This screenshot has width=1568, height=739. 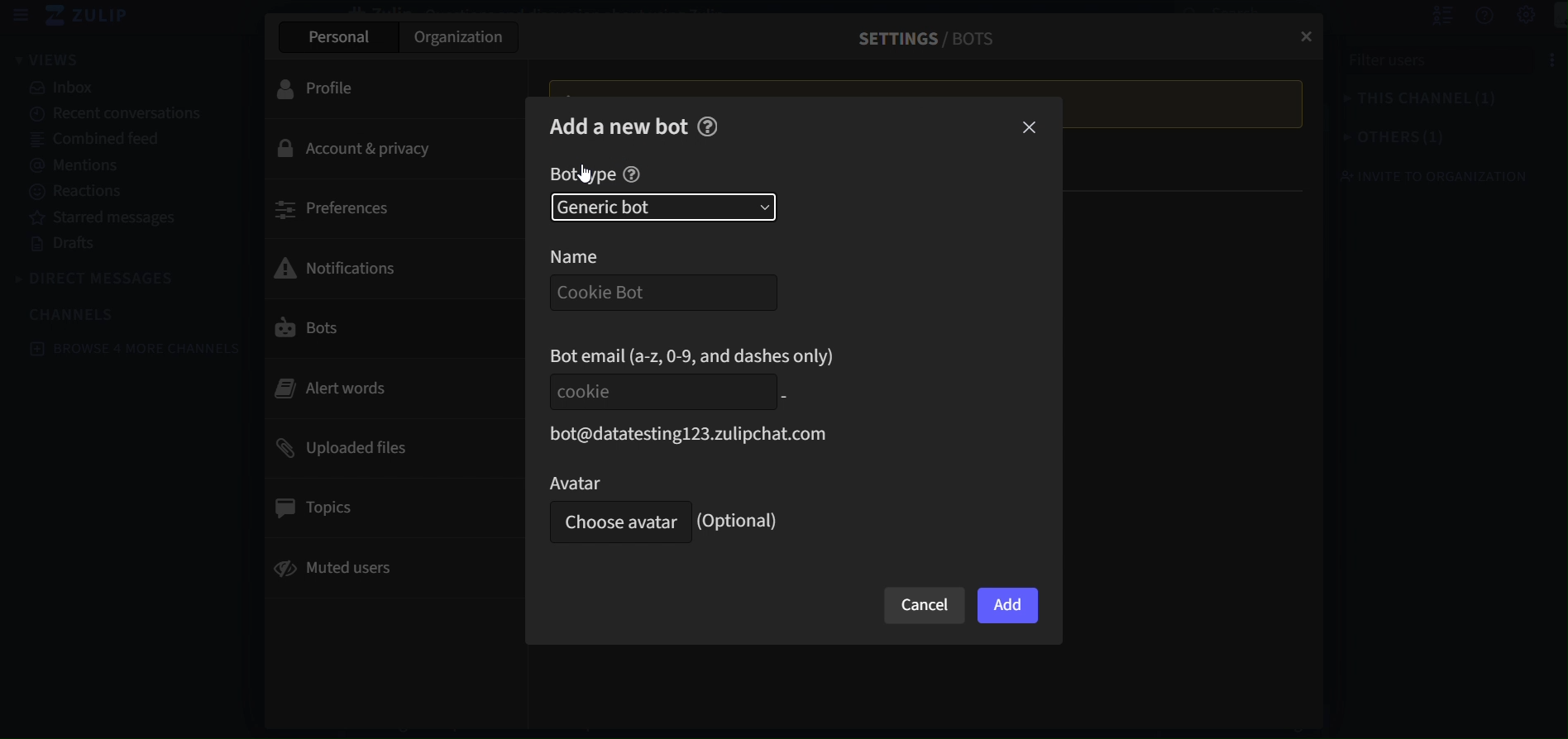 I want to click on preferences, so click(x=380, y=207).